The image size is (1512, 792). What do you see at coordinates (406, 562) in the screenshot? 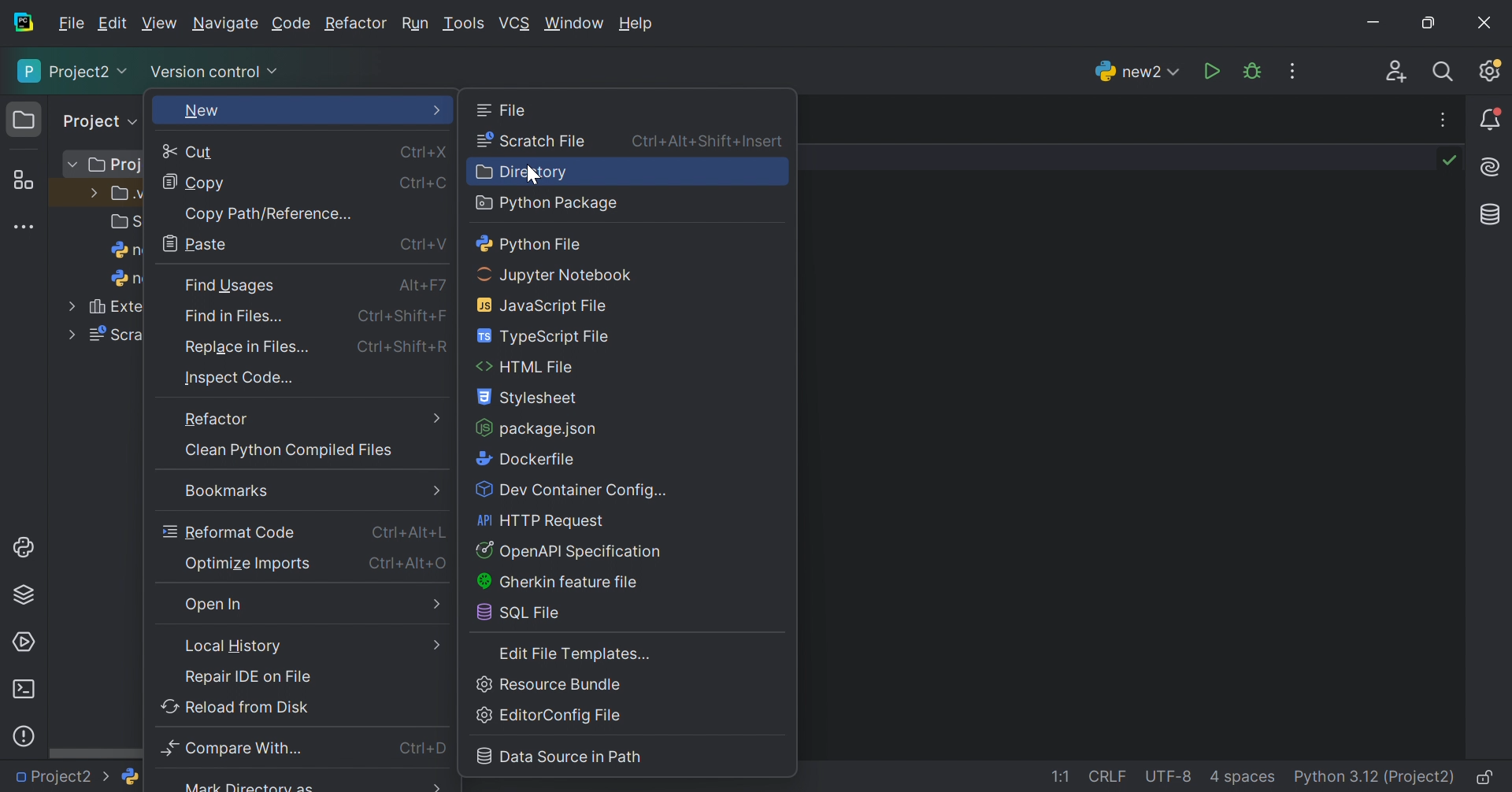
I see `Ctrl+Alt+O` at bounding box center [406, 562].